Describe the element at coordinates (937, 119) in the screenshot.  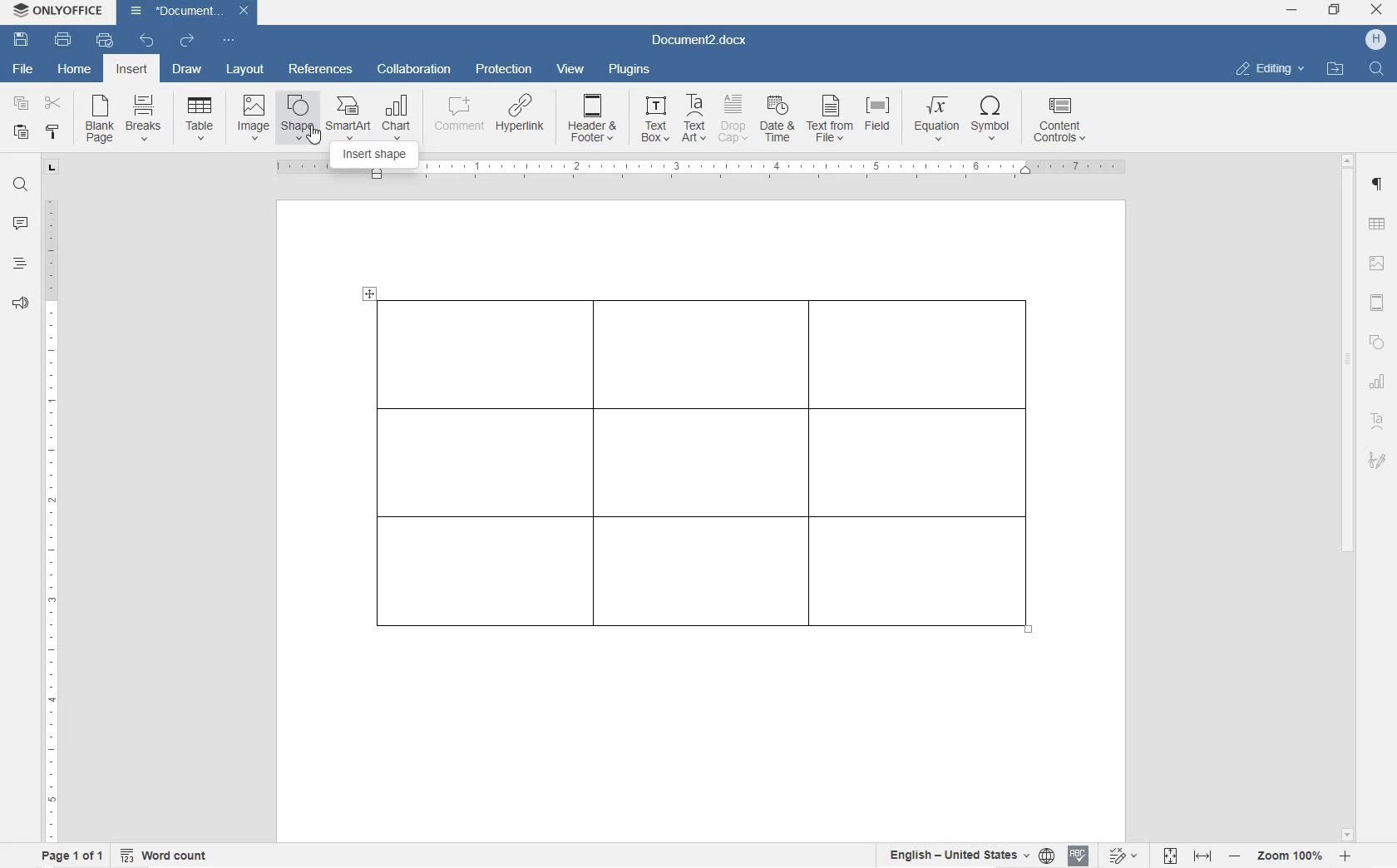
I see `EQUATION` at that location.